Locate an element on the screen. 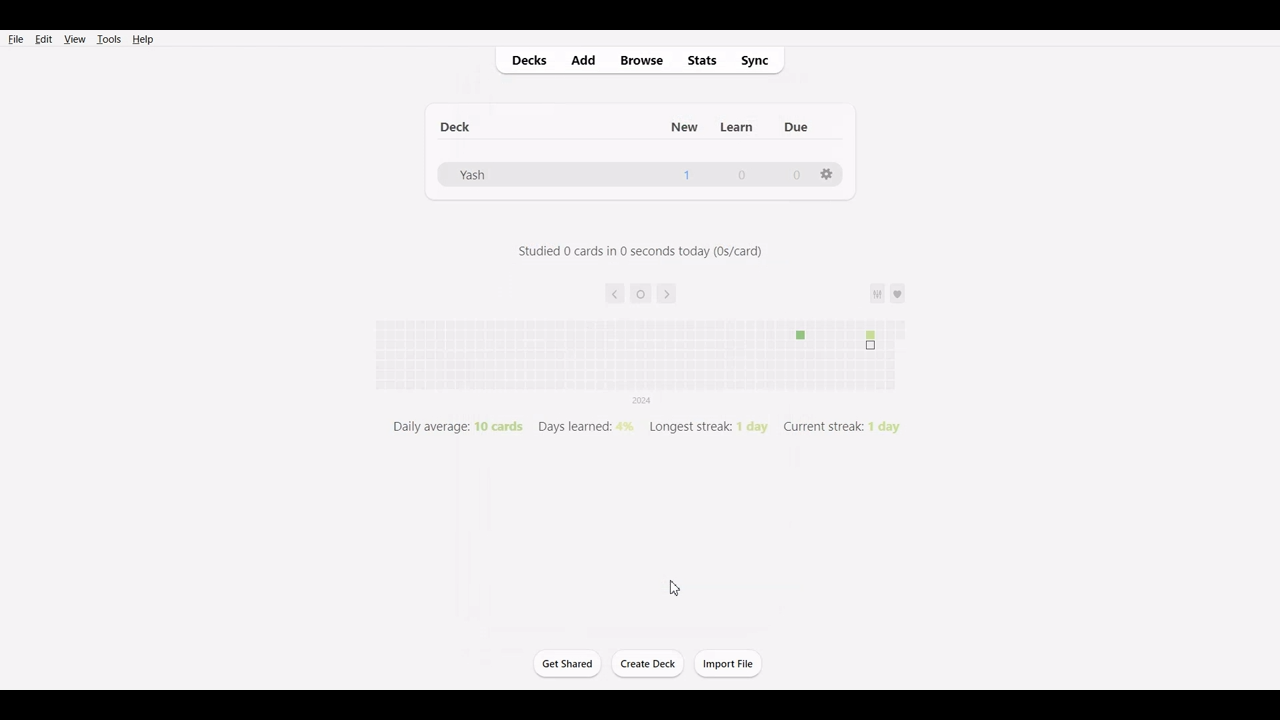 The height and width of the screenshot is (720, 1280). 1 is located at coordinates (682, 173).